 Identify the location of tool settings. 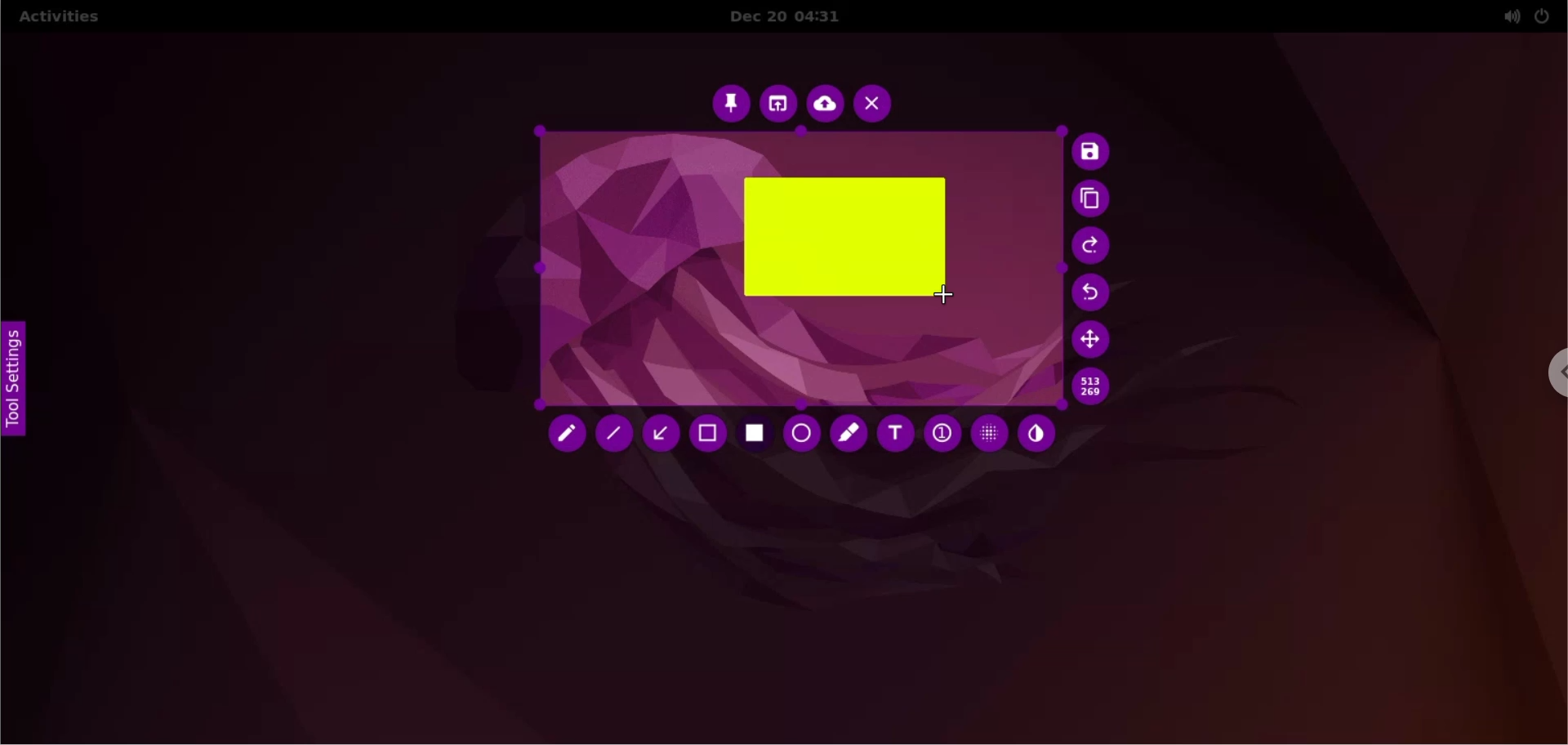
(16, 386).